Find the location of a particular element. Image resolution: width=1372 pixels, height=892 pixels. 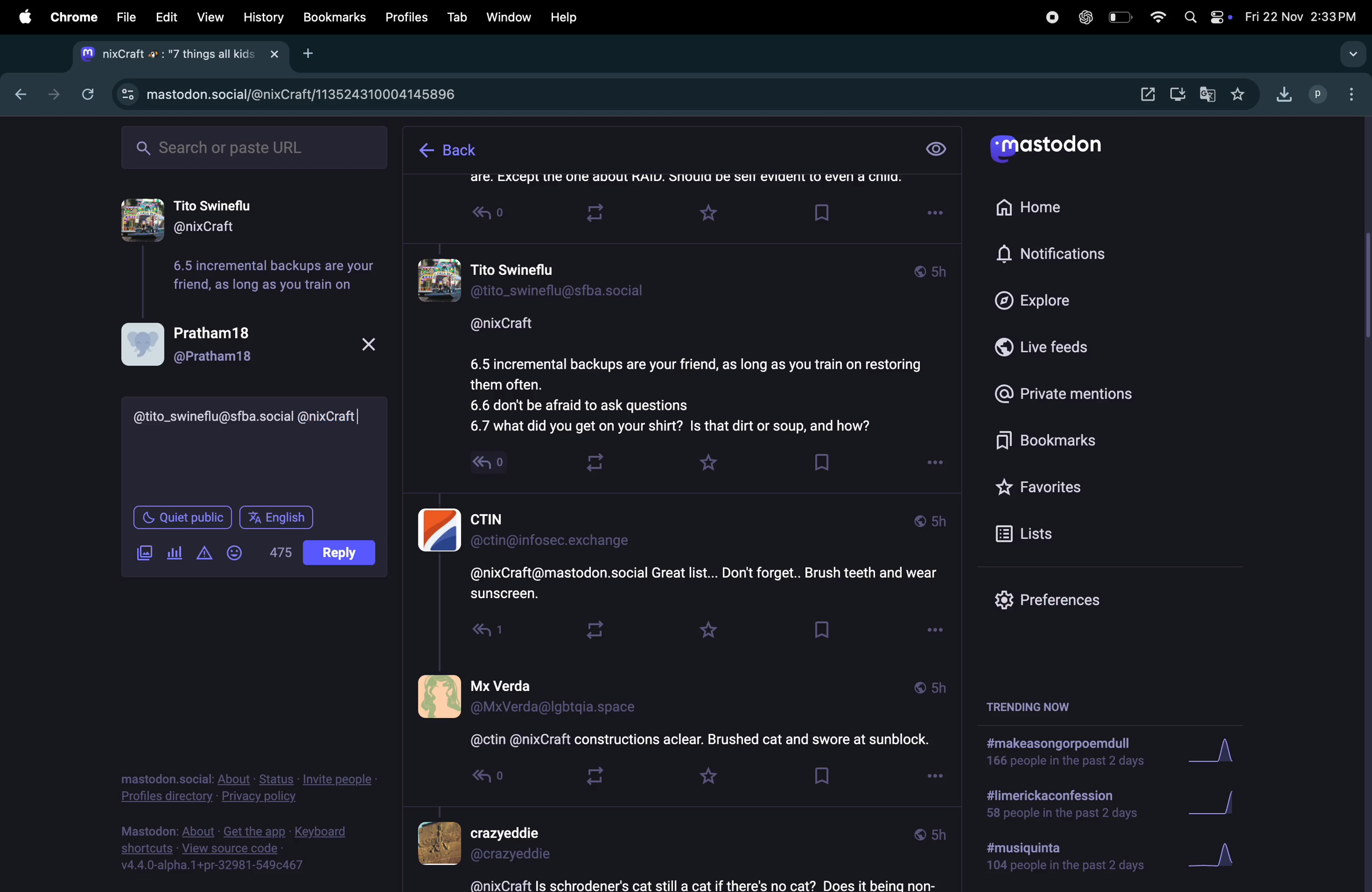

search bar is located at coordinates (1352, 54).